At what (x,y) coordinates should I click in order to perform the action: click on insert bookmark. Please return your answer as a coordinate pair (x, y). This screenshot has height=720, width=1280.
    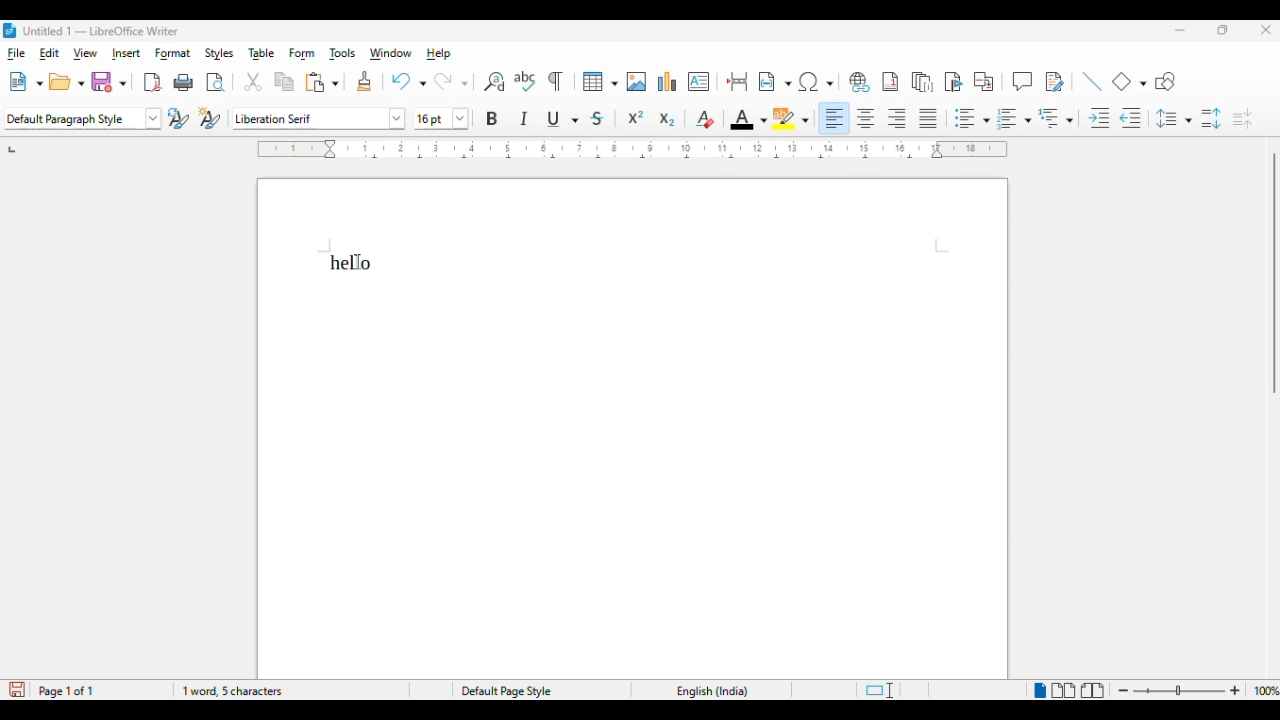
    Looking at the image, I should click on (954, 82).